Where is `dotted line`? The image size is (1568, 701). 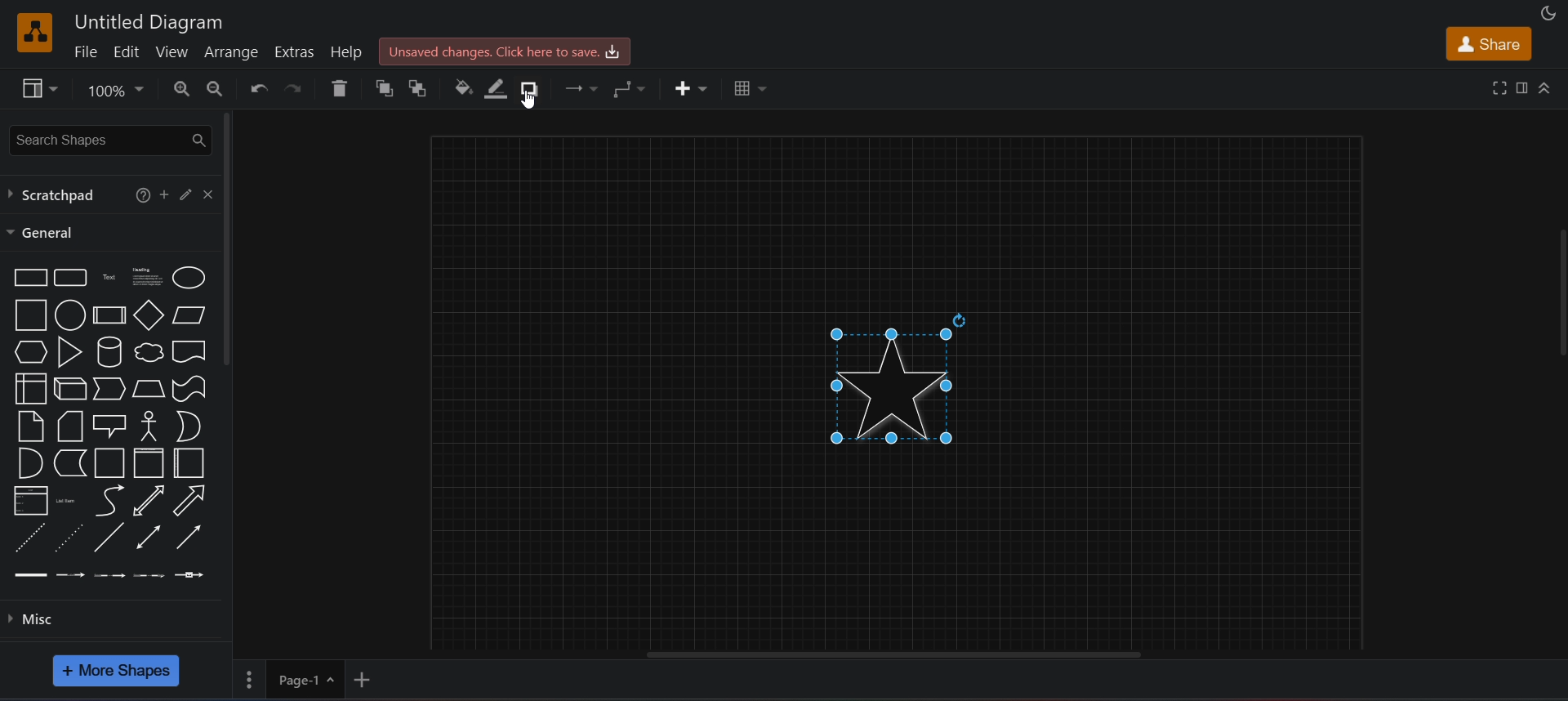 dotted line is located at coordinates (68, 537).